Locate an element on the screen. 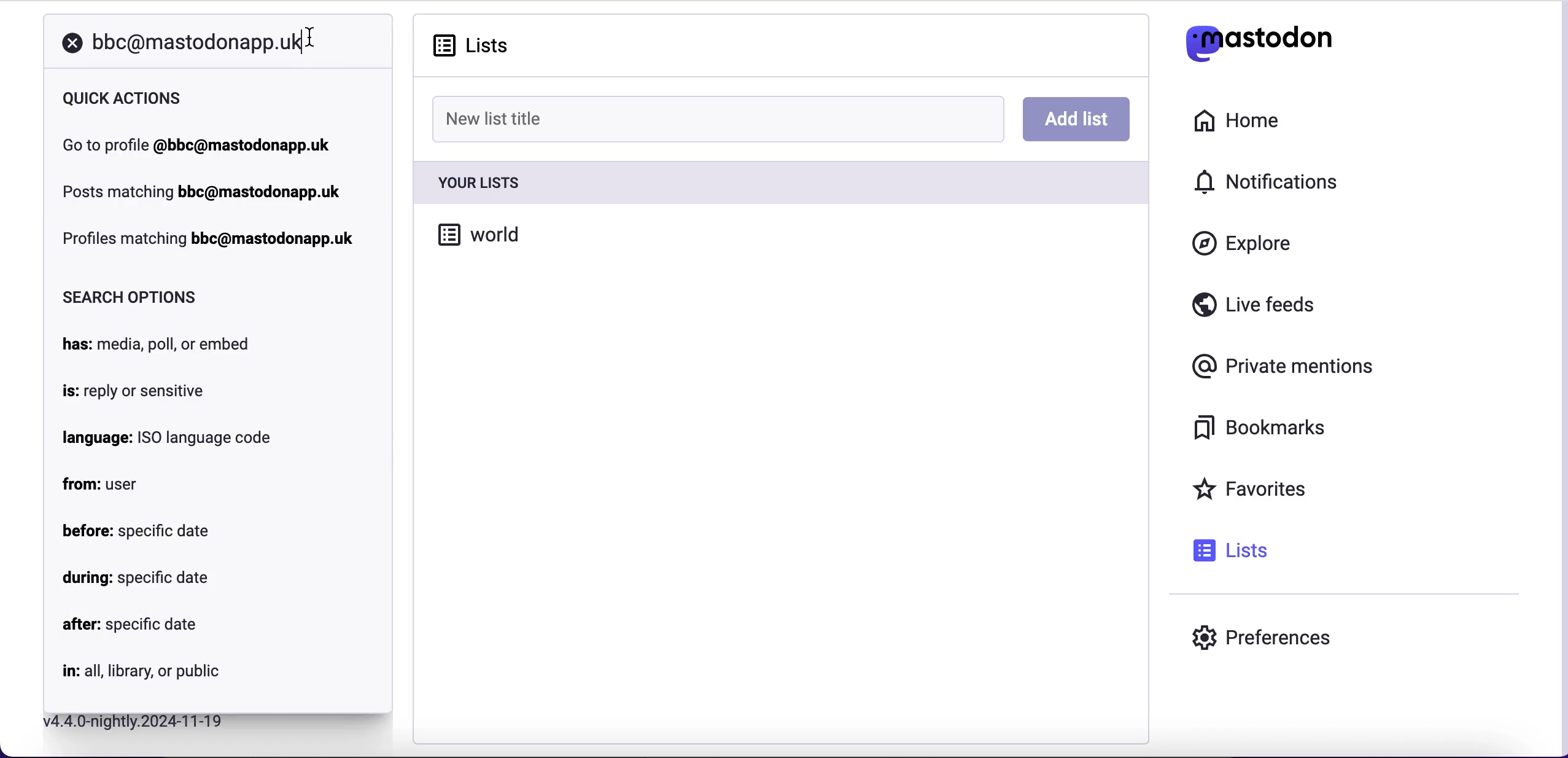 The height and width of the screenshot is (758, 1568). lists is located at coordinates (472, 44).